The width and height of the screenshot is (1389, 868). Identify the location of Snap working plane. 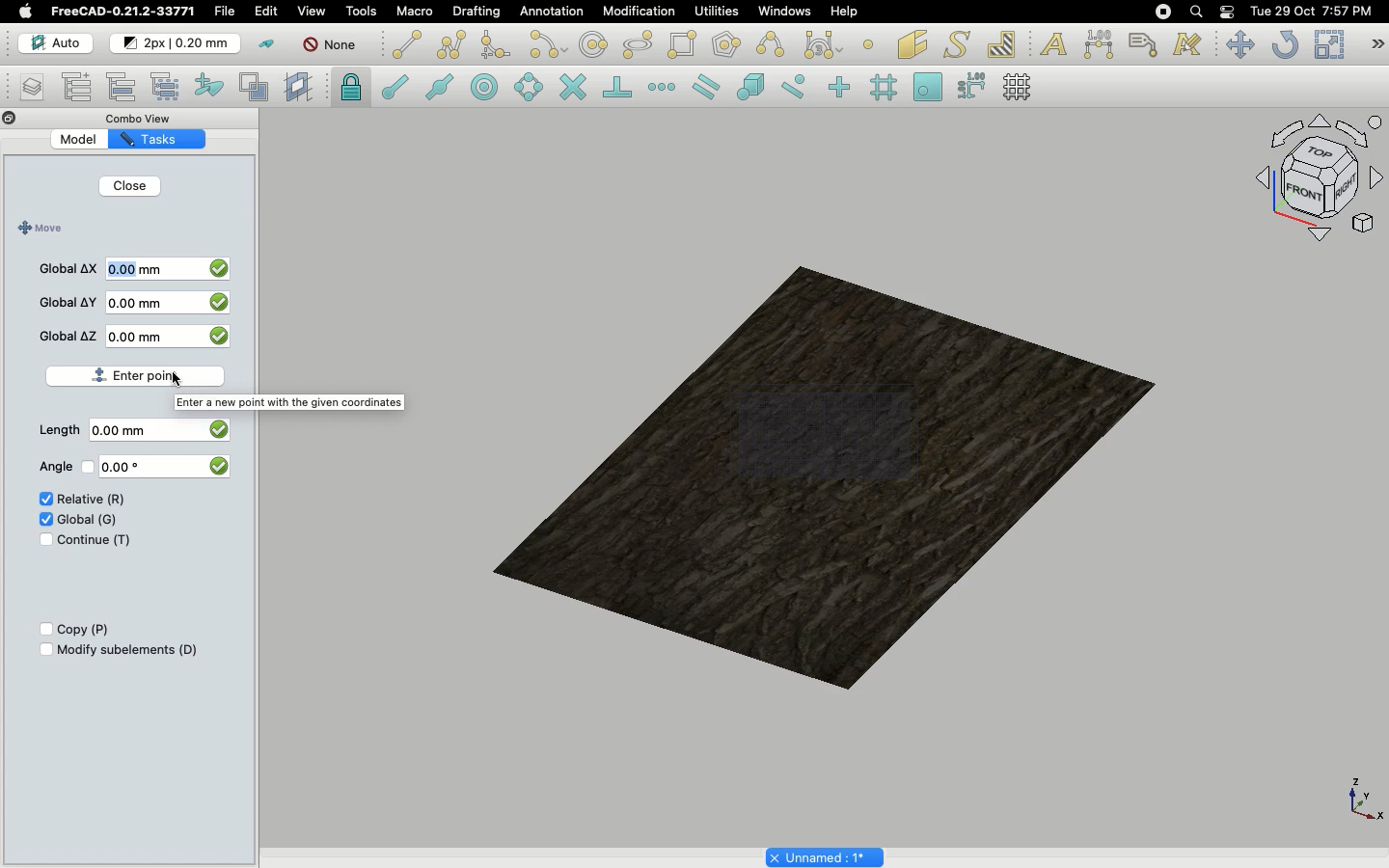
(928, 89).